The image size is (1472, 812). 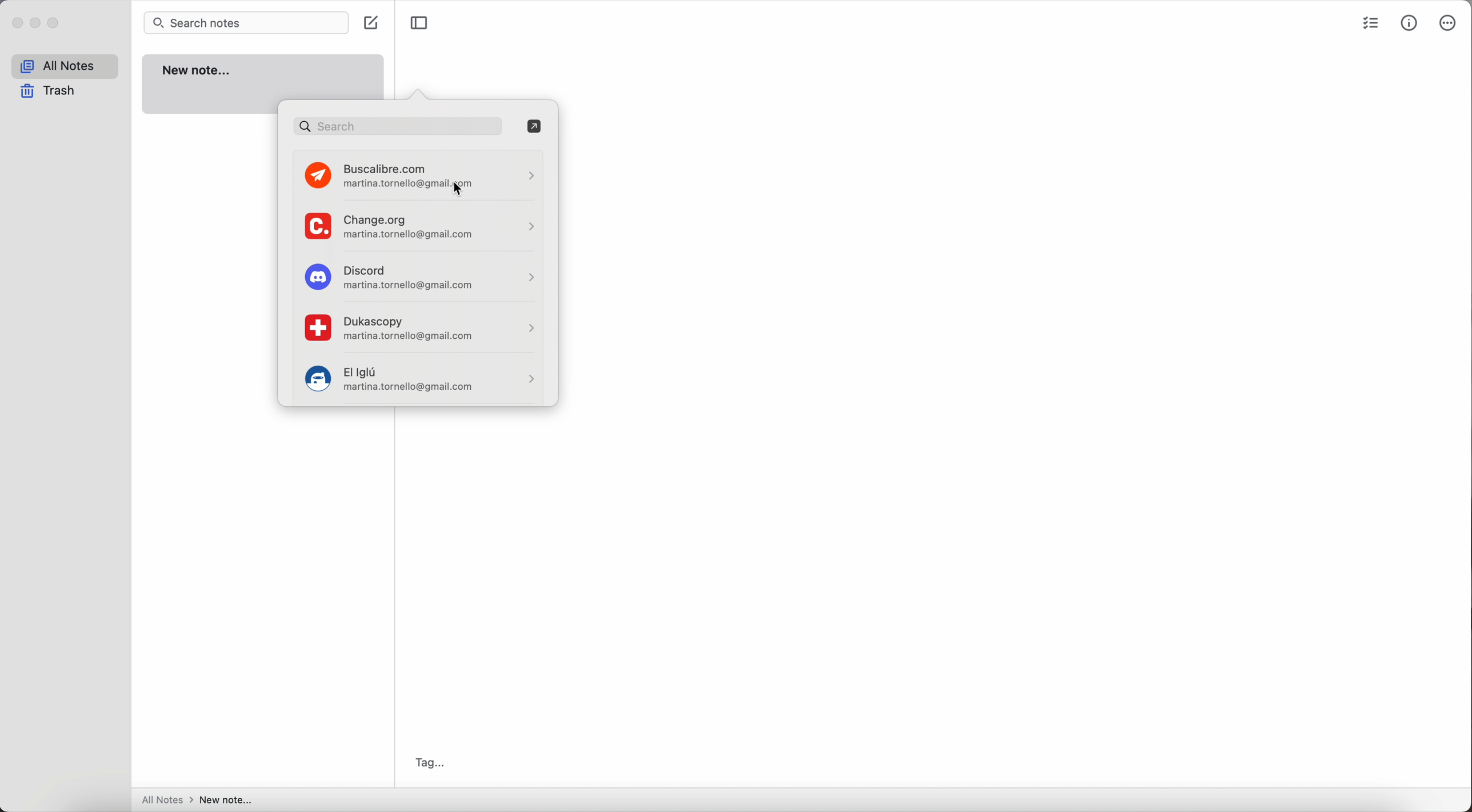 I want to click on check list, so click(x=1370, y=25).